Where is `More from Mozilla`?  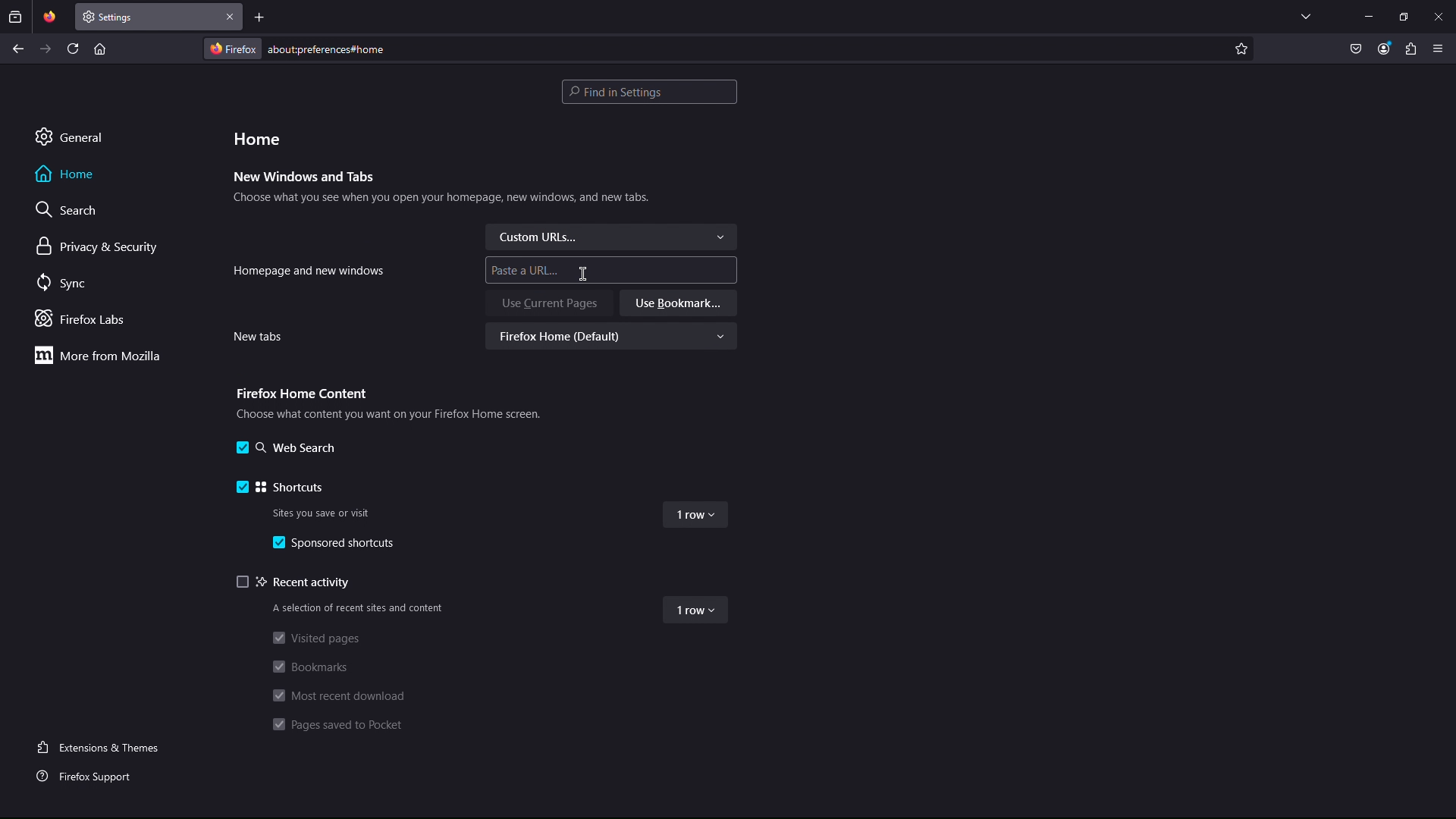
More from Mozilla is located at coordinates (96, 355).